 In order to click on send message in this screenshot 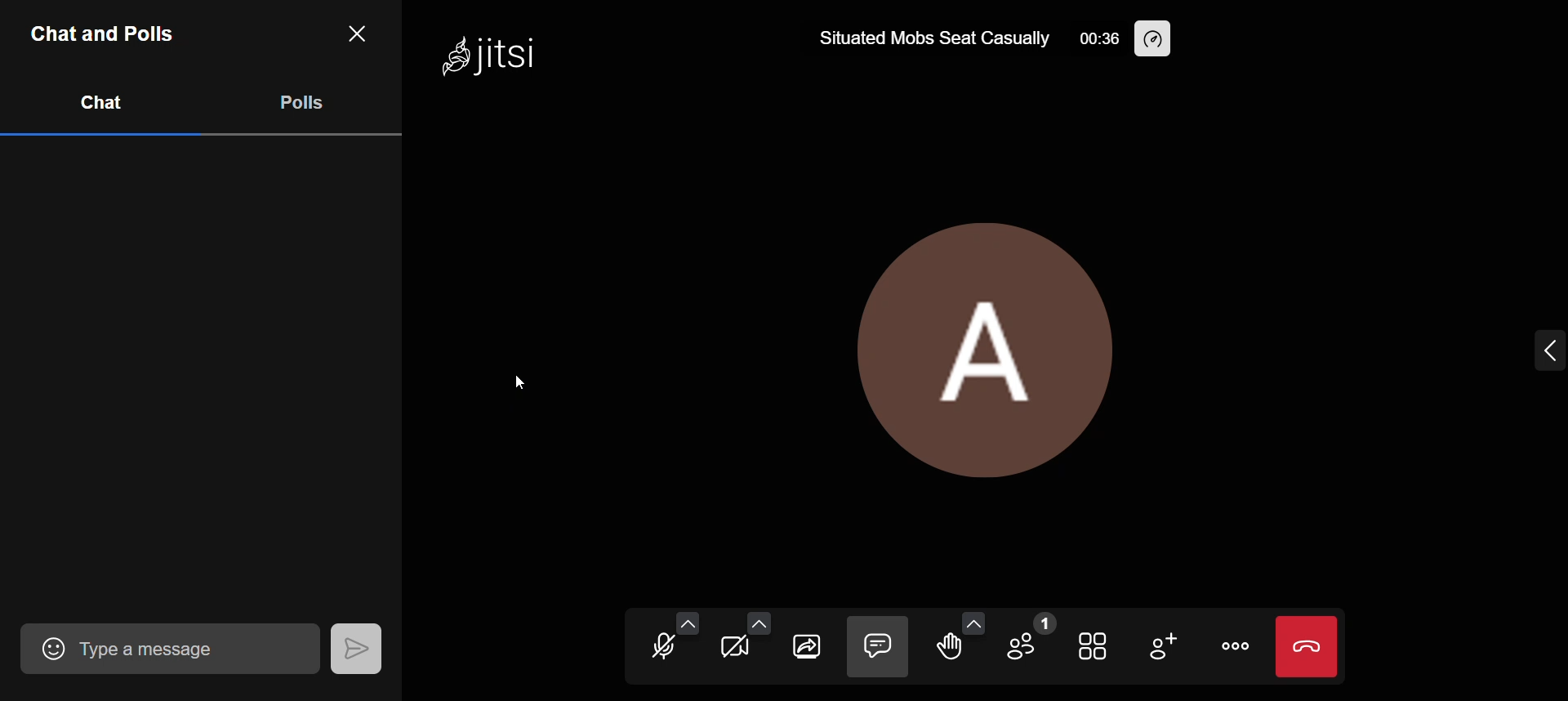, I will do `click(354, 645)`.